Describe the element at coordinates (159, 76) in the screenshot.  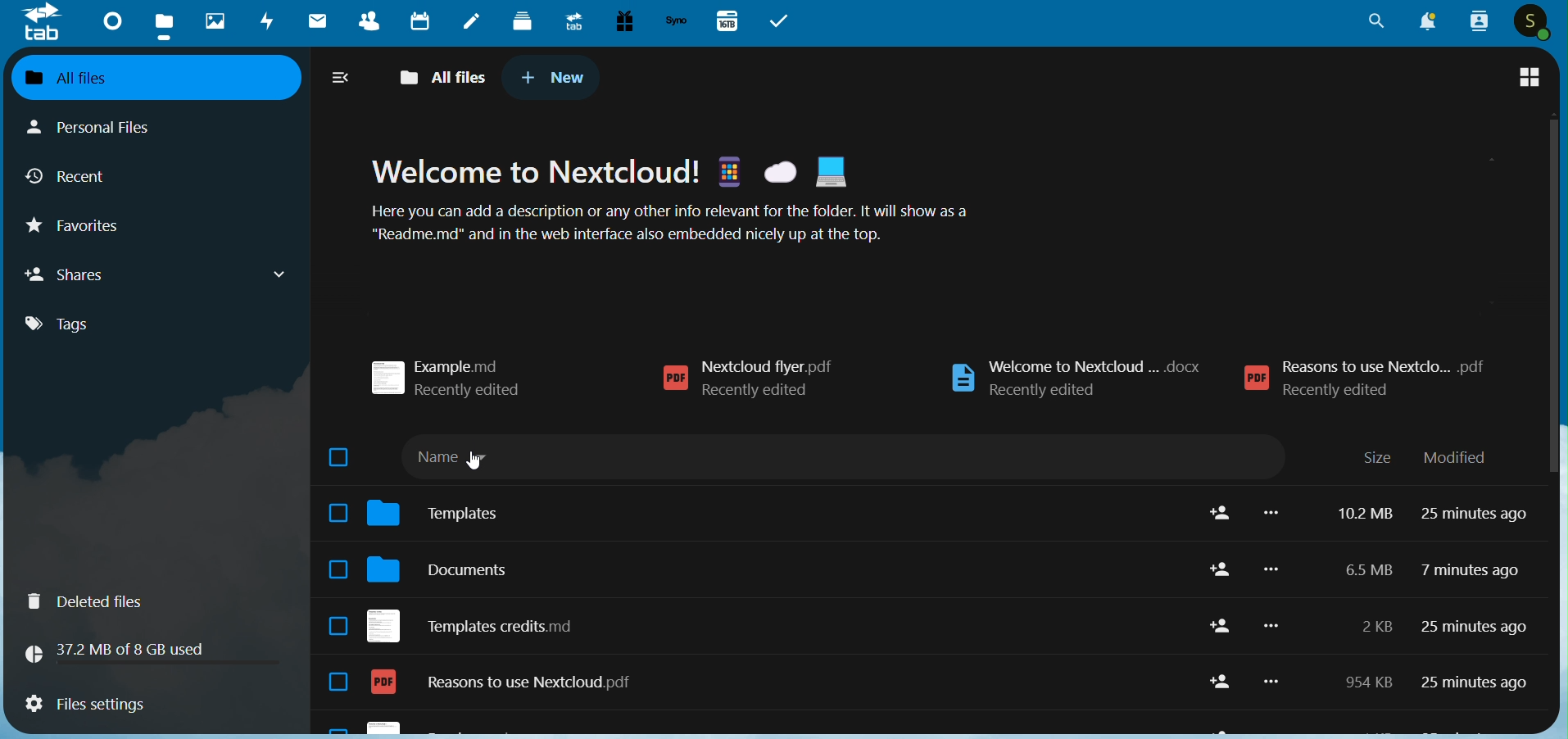
I see `All Files` at that location.